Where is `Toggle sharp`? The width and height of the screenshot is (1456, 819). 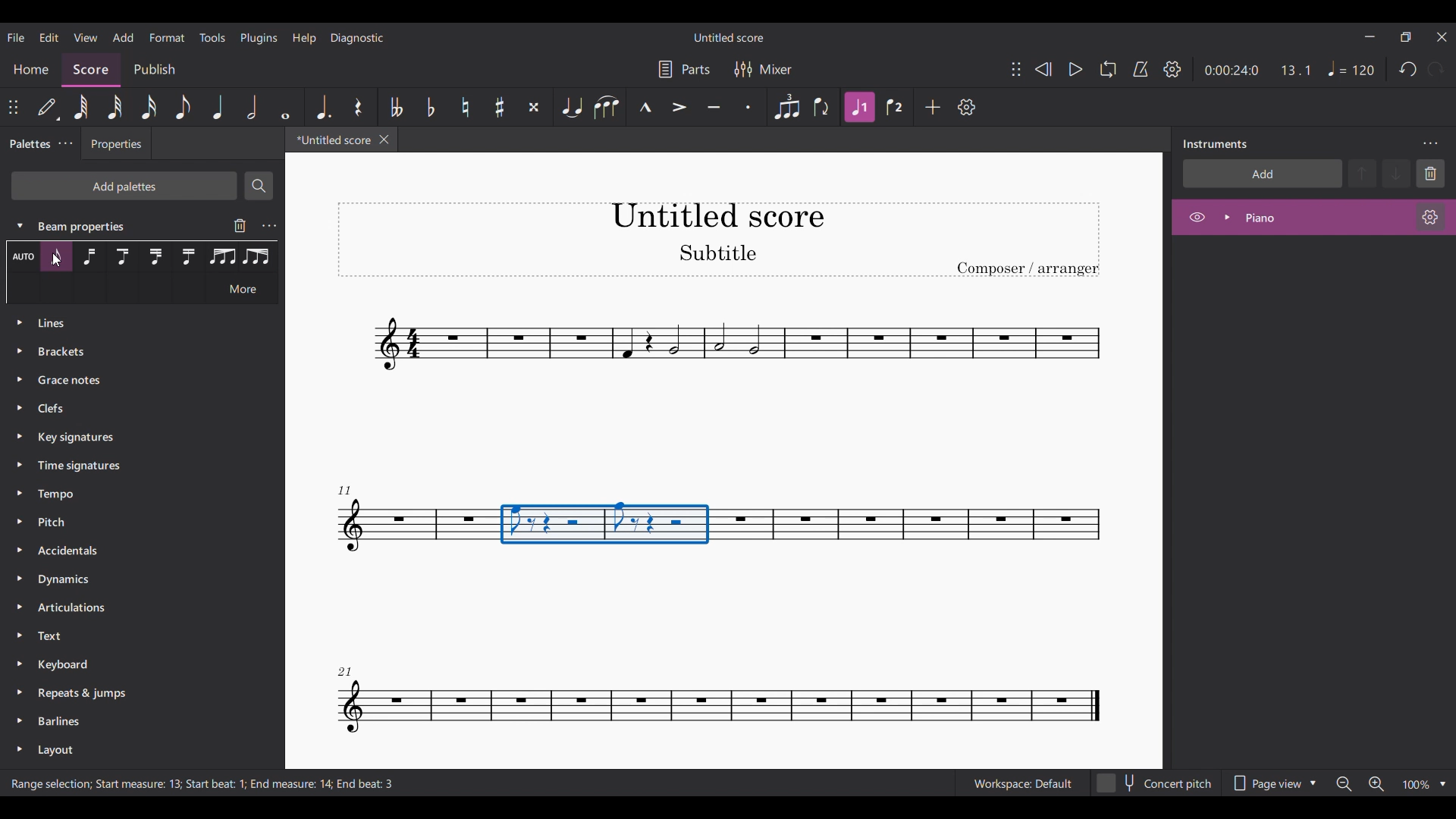
Toggle sharp is located at coordinates (500, 107).